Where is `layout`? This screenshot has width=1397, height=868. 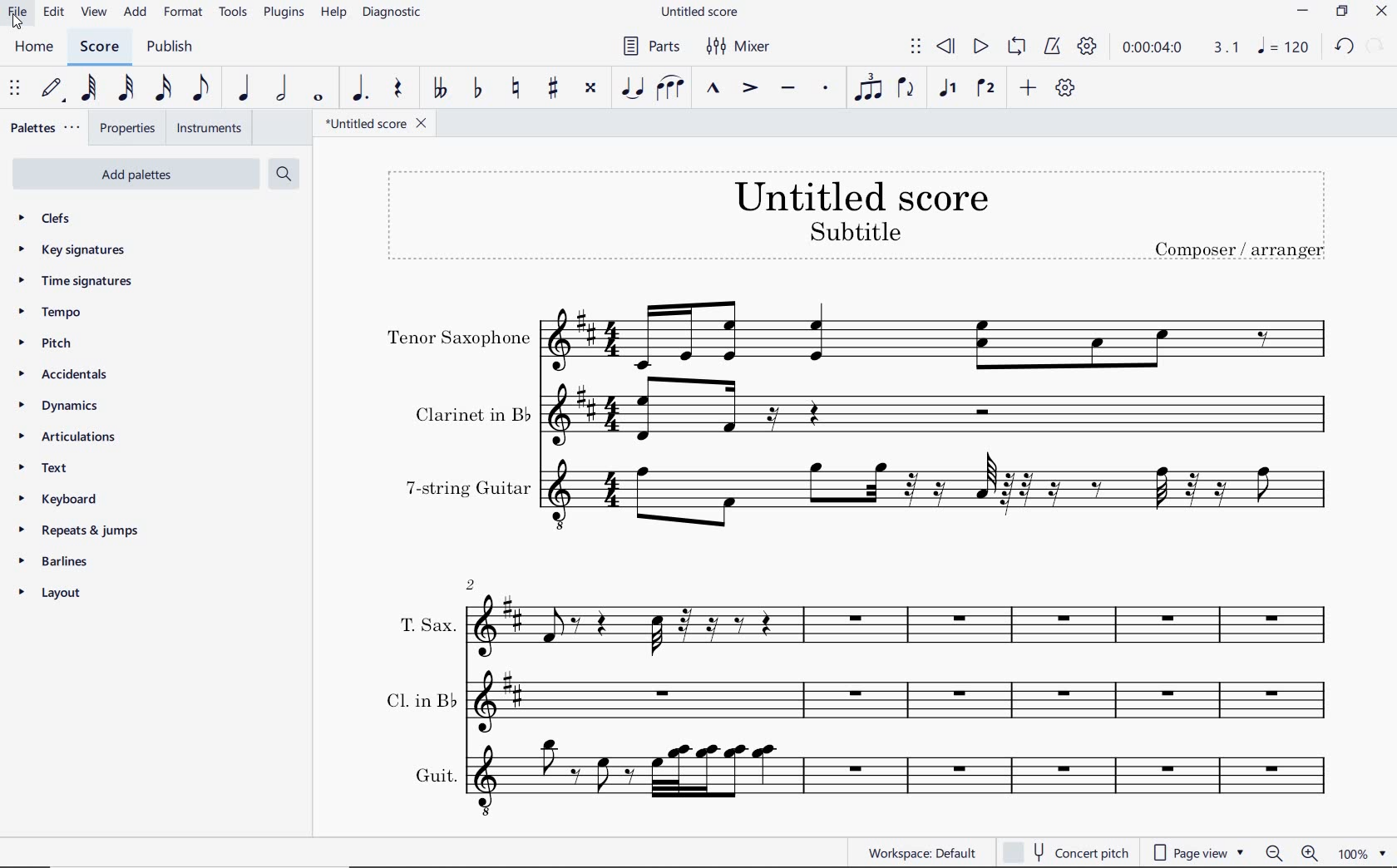 layout is located at coordinates (55, 594).